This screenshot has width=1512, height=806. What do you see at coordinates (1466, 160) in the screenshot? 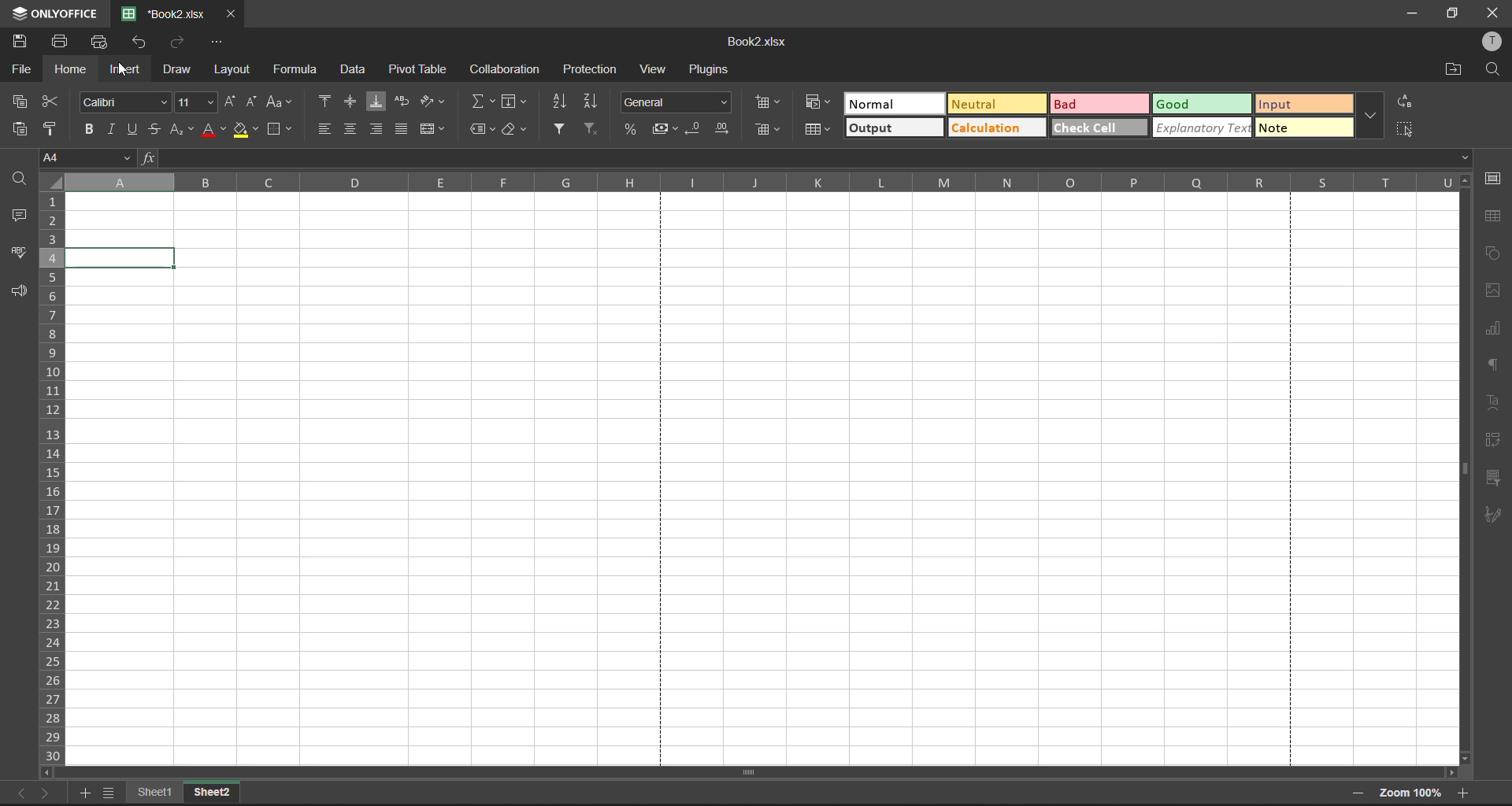
I see `down` at bounding box center [1466, 160].